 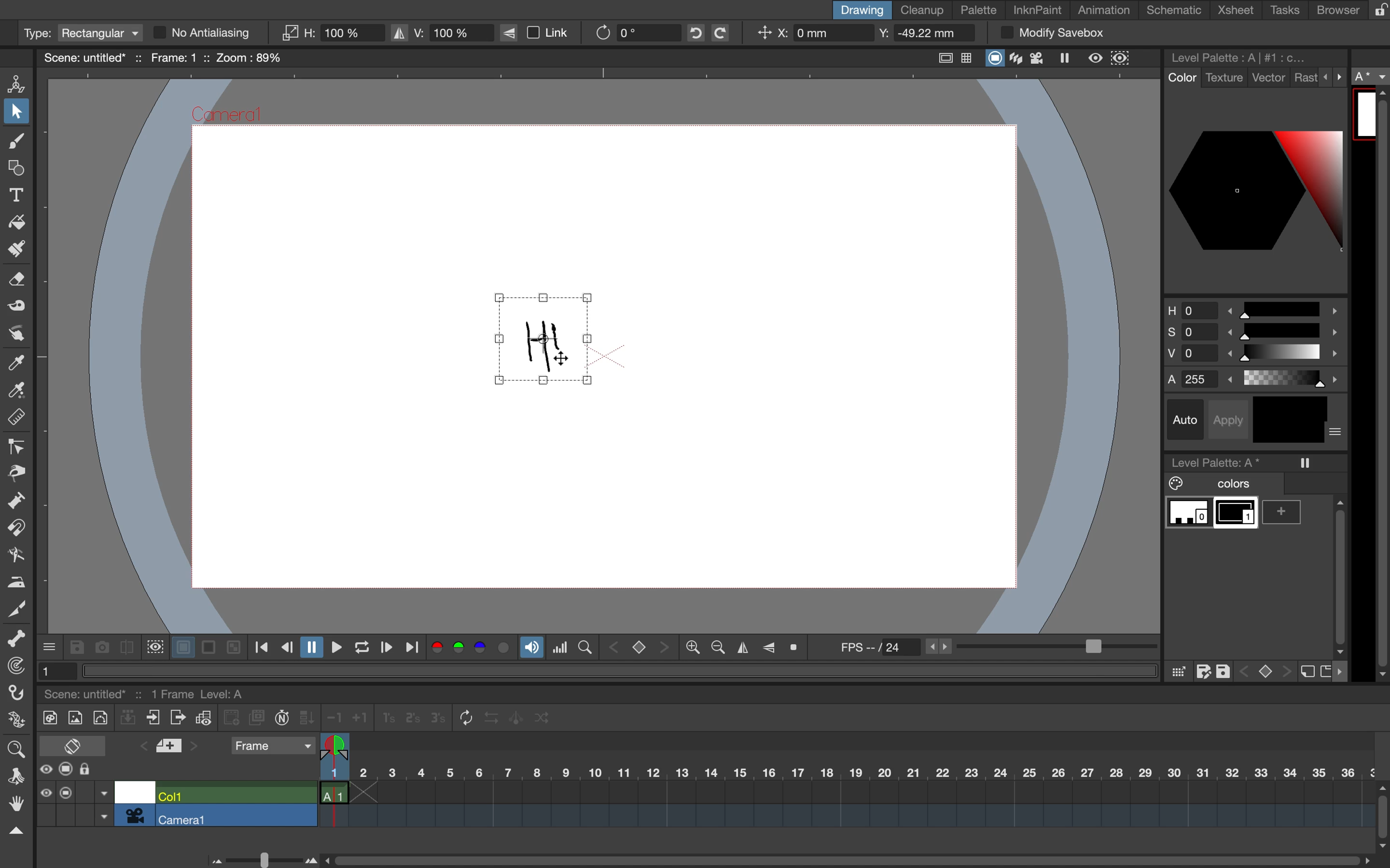 What do you see at coordinates (18, 283) in the screenshot?
I see `eraser tool` at bounding box center [18, 283].